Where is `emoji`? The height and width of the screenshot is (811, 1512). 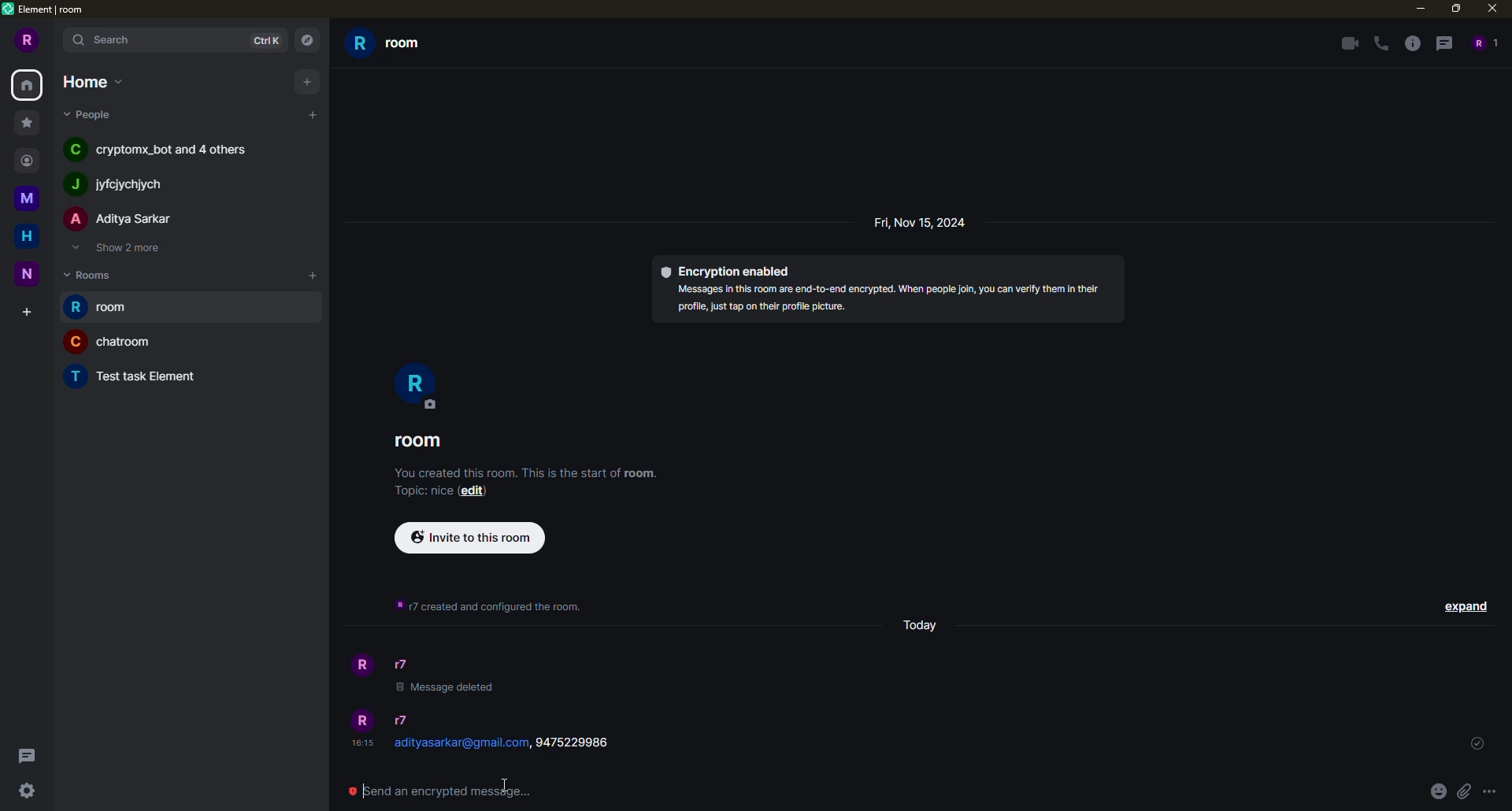 emoji is located at coordinates (1436, 791).